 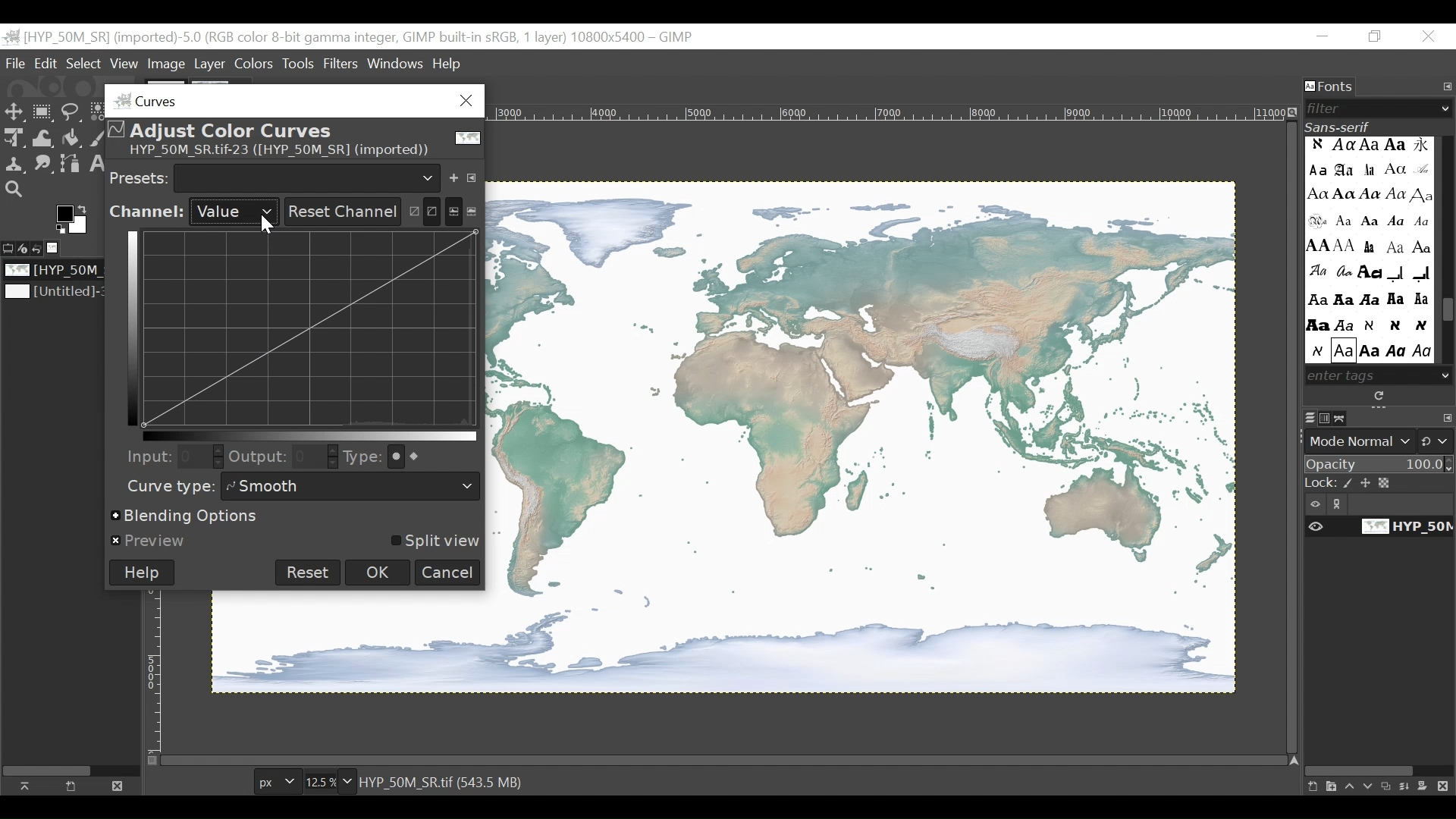 What do you see at coordinates (17, 63) in the screenshot?
I see `File` at bounding box center [17, 63].